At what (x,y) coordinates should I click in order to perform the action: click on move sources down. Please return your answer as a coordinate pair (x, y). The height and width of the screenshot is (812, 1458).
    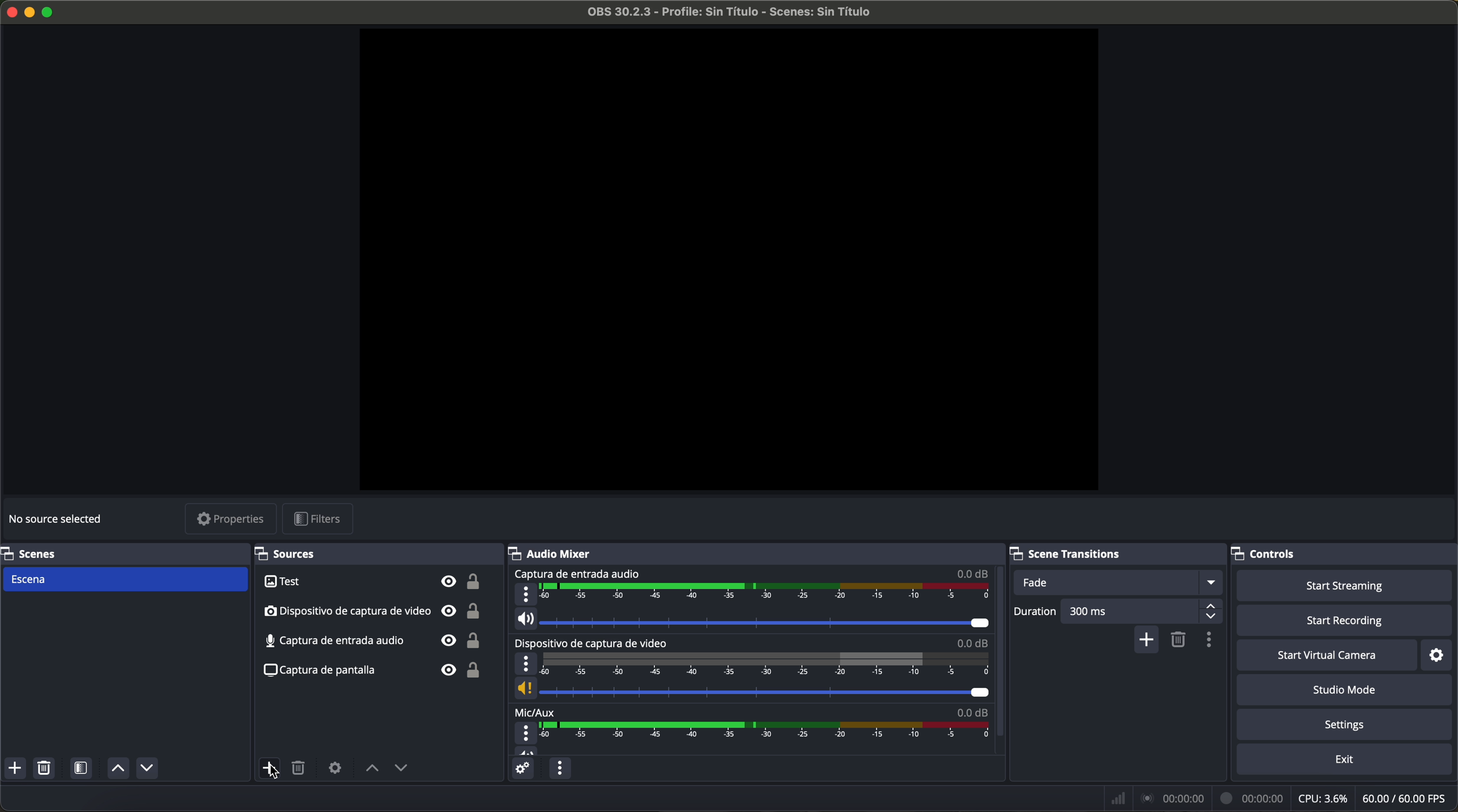
    Looking at the image, I should click on (402, 770).